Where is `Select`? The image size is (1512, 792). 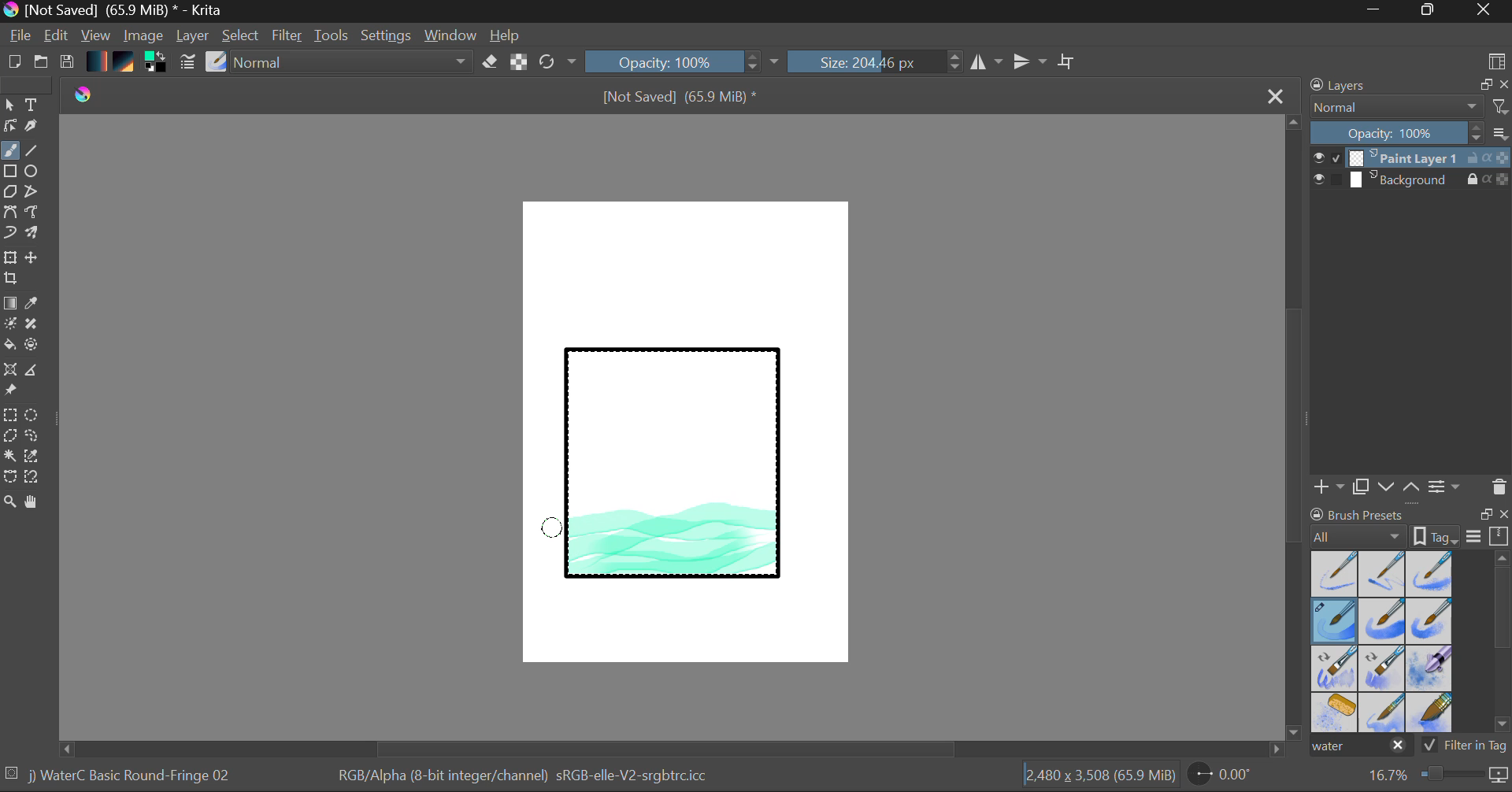
Select is located at coordinates (9, 105).